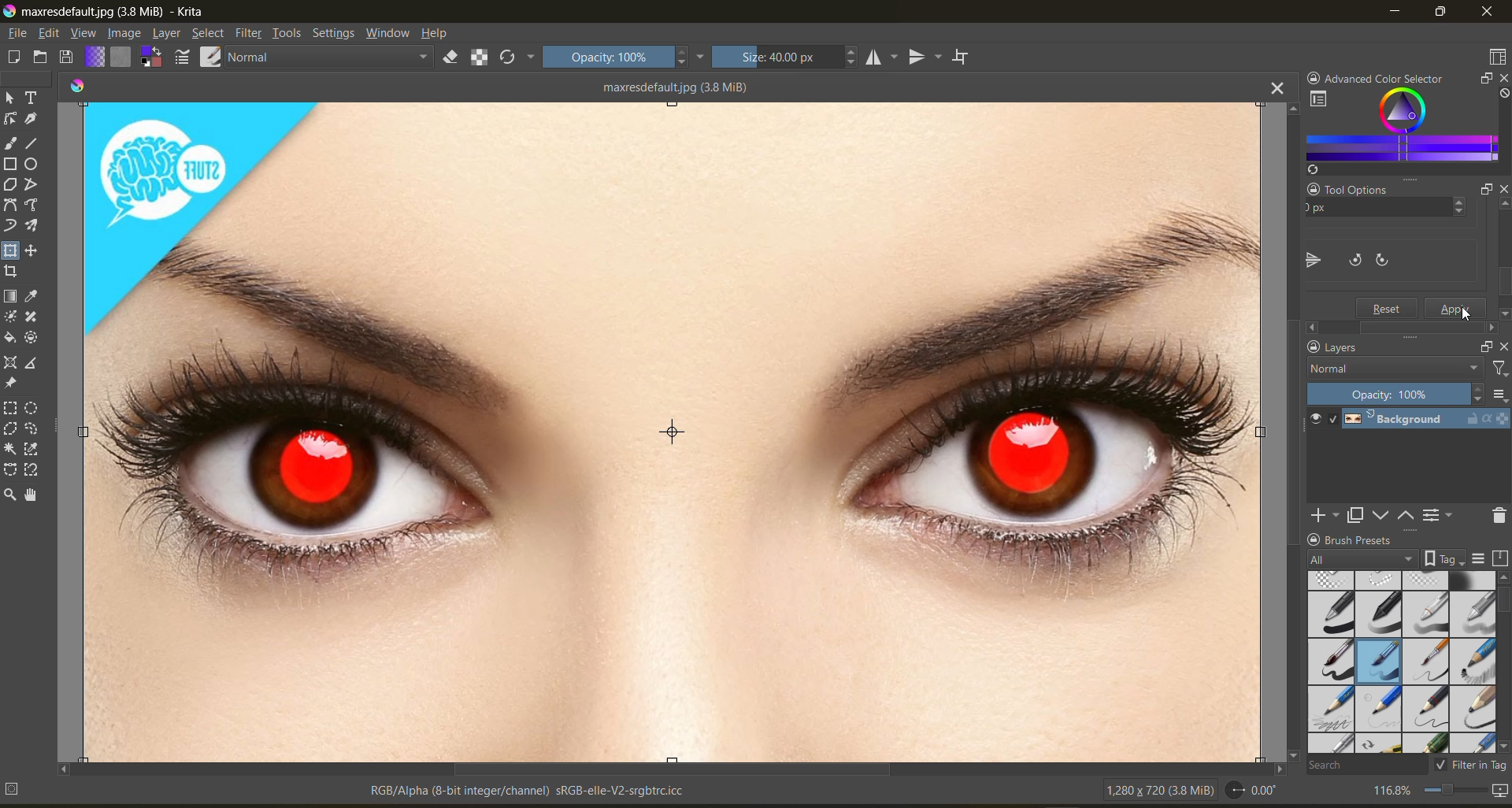 The height and width of the screenshot is (808, 1512). What do you see at coordinates (112, 13) in the screenshot?
I see `app name and file name` at bounding box center [112, 13].